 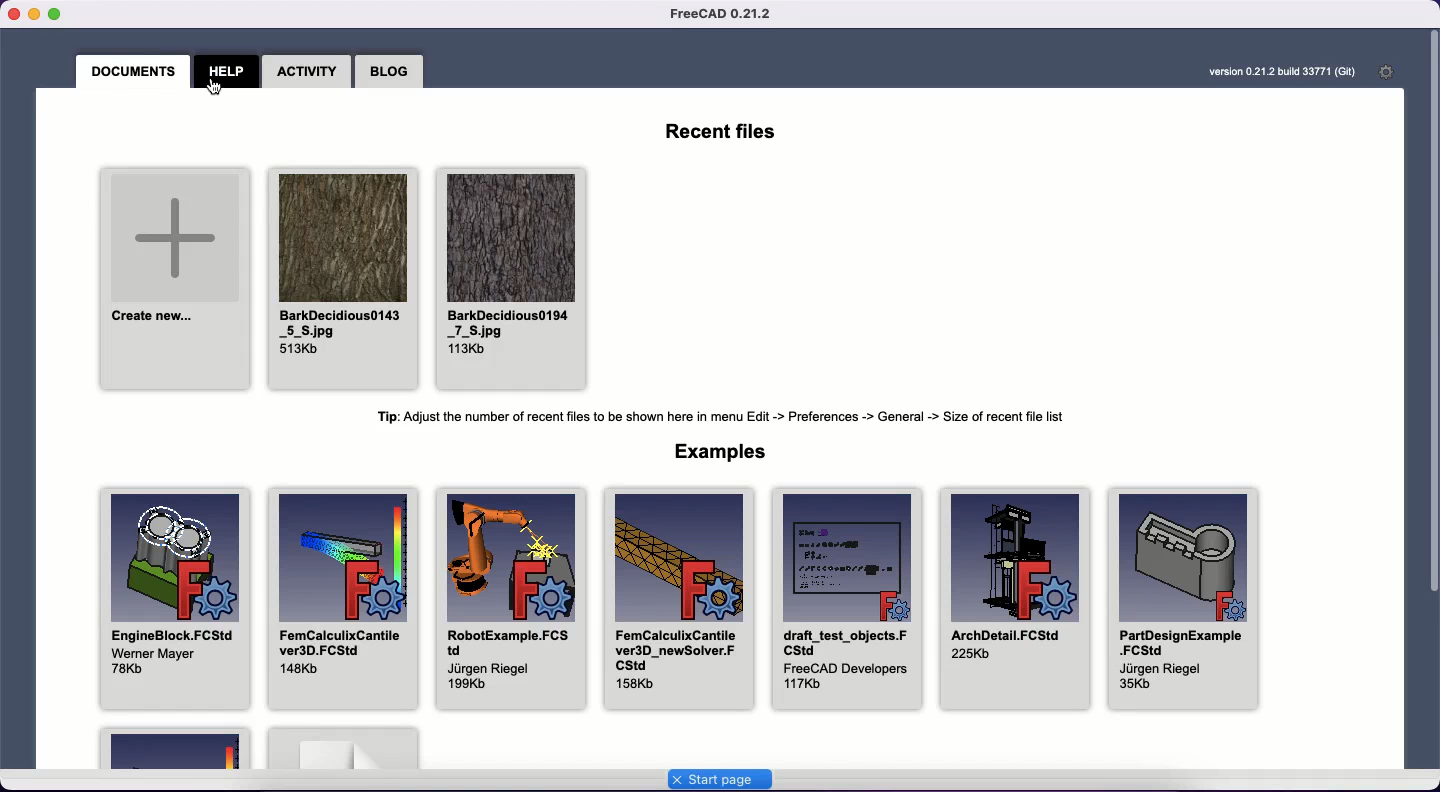 I want to click on Help, so click(x=228, y=72).